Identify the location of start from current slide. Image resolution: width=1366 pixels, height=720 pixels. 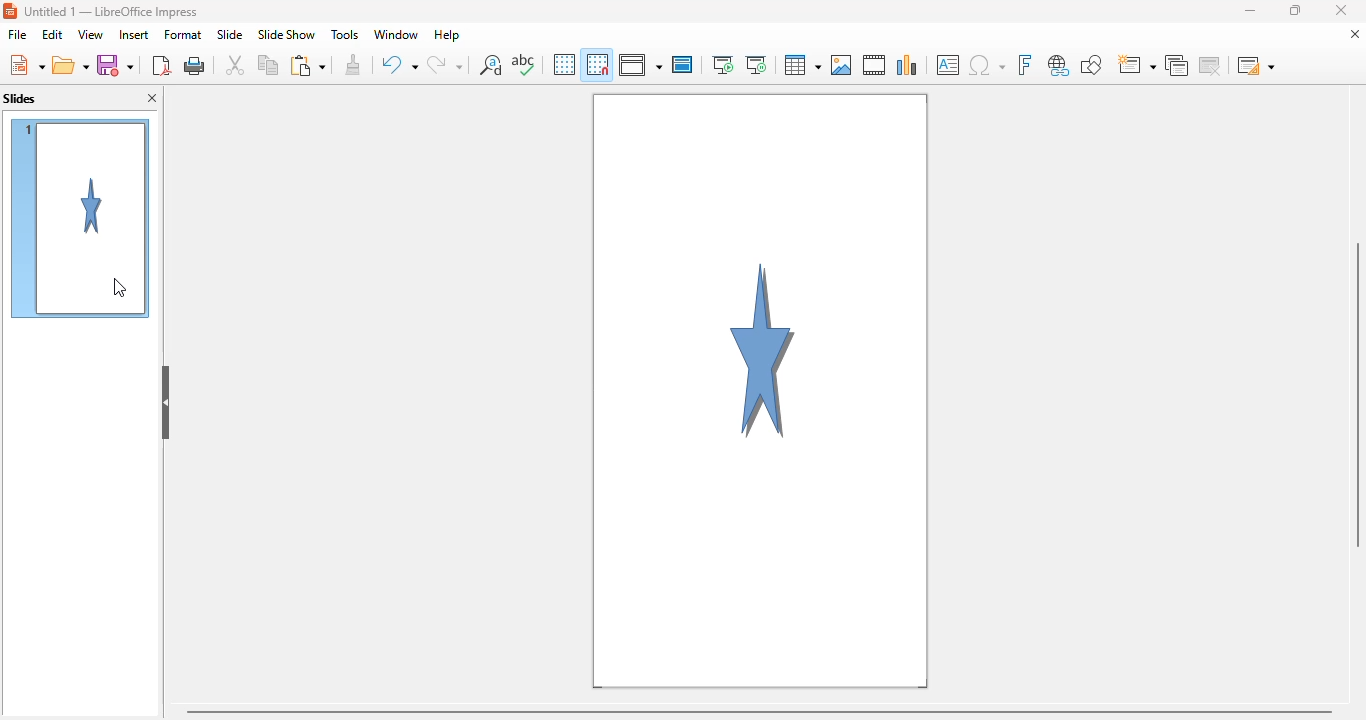
(756, 65).